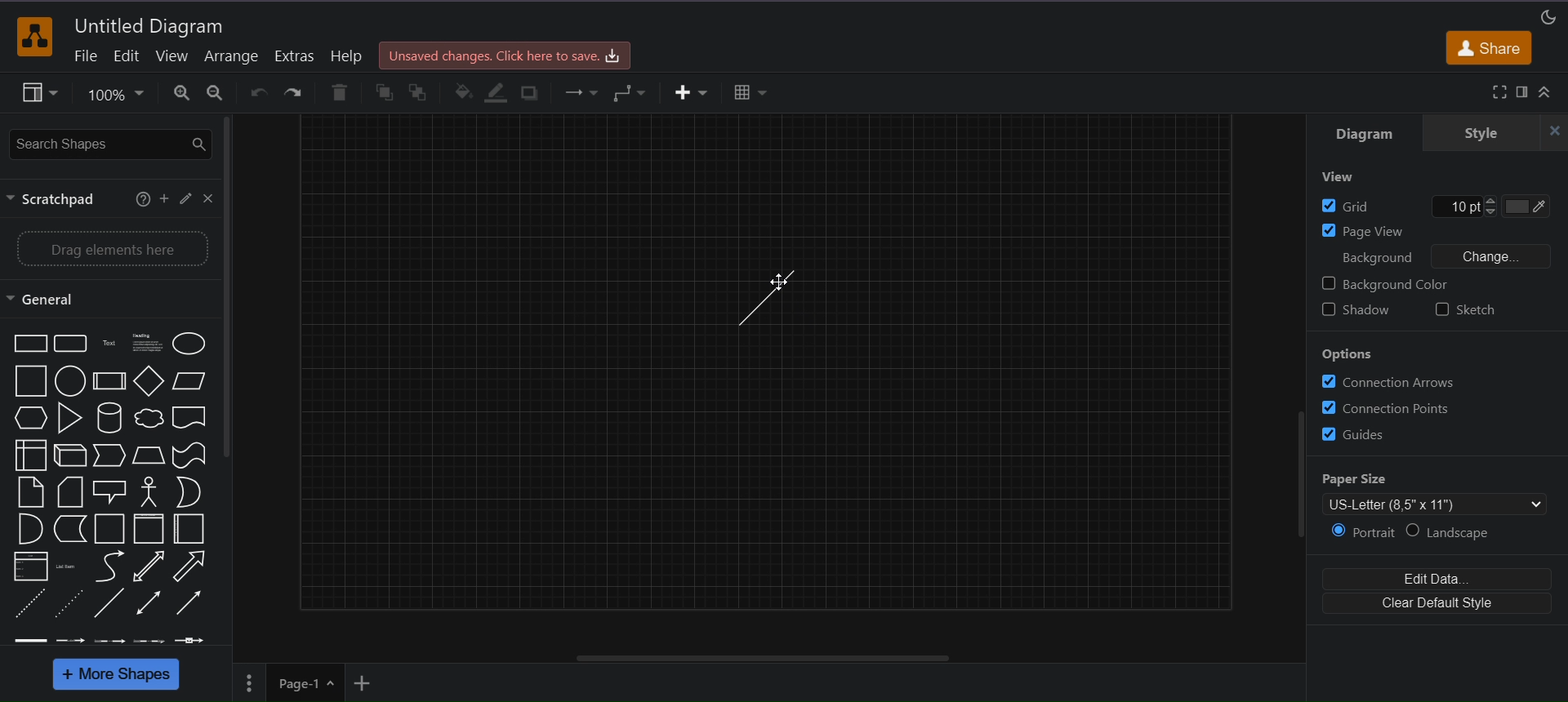 The width and height of the screenshot is (1568, 702). What do you see at coordinates (1350, 354) in the screenshot?
I see `options` at bounding box center [1350, 354].